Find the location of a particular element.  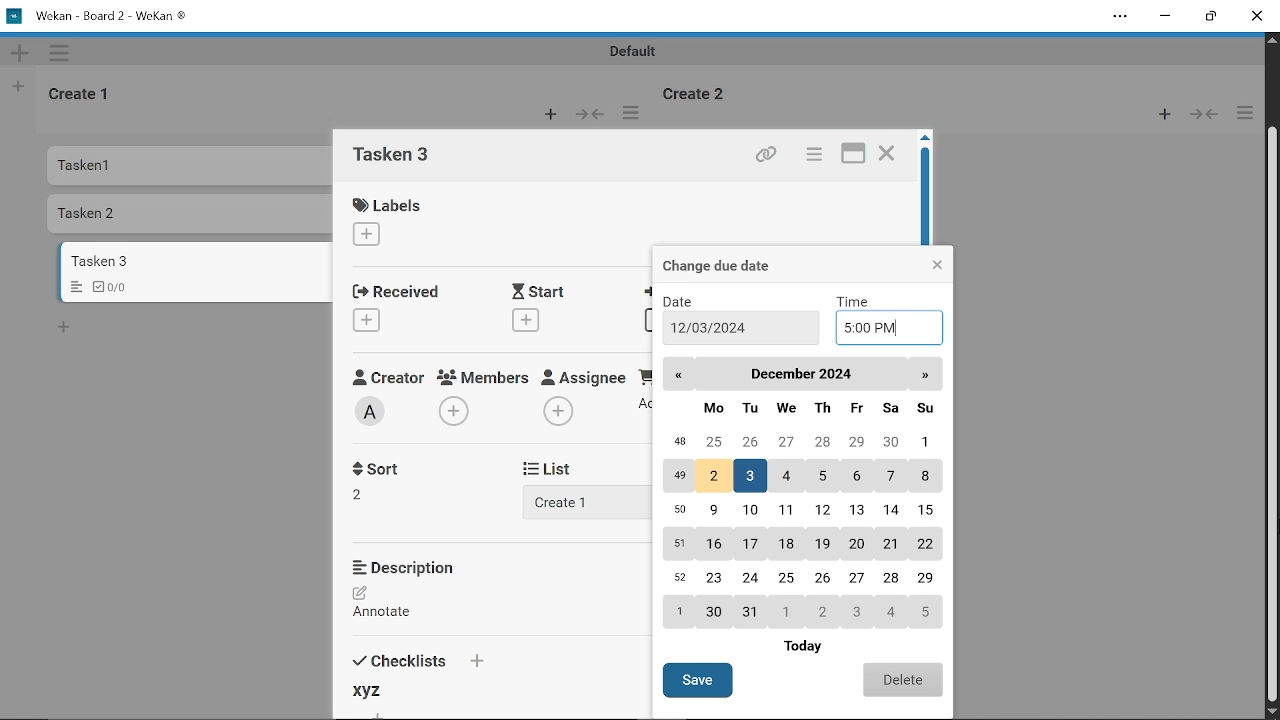

Copy link of this card to clipboard is located at coordinates (764, 155).